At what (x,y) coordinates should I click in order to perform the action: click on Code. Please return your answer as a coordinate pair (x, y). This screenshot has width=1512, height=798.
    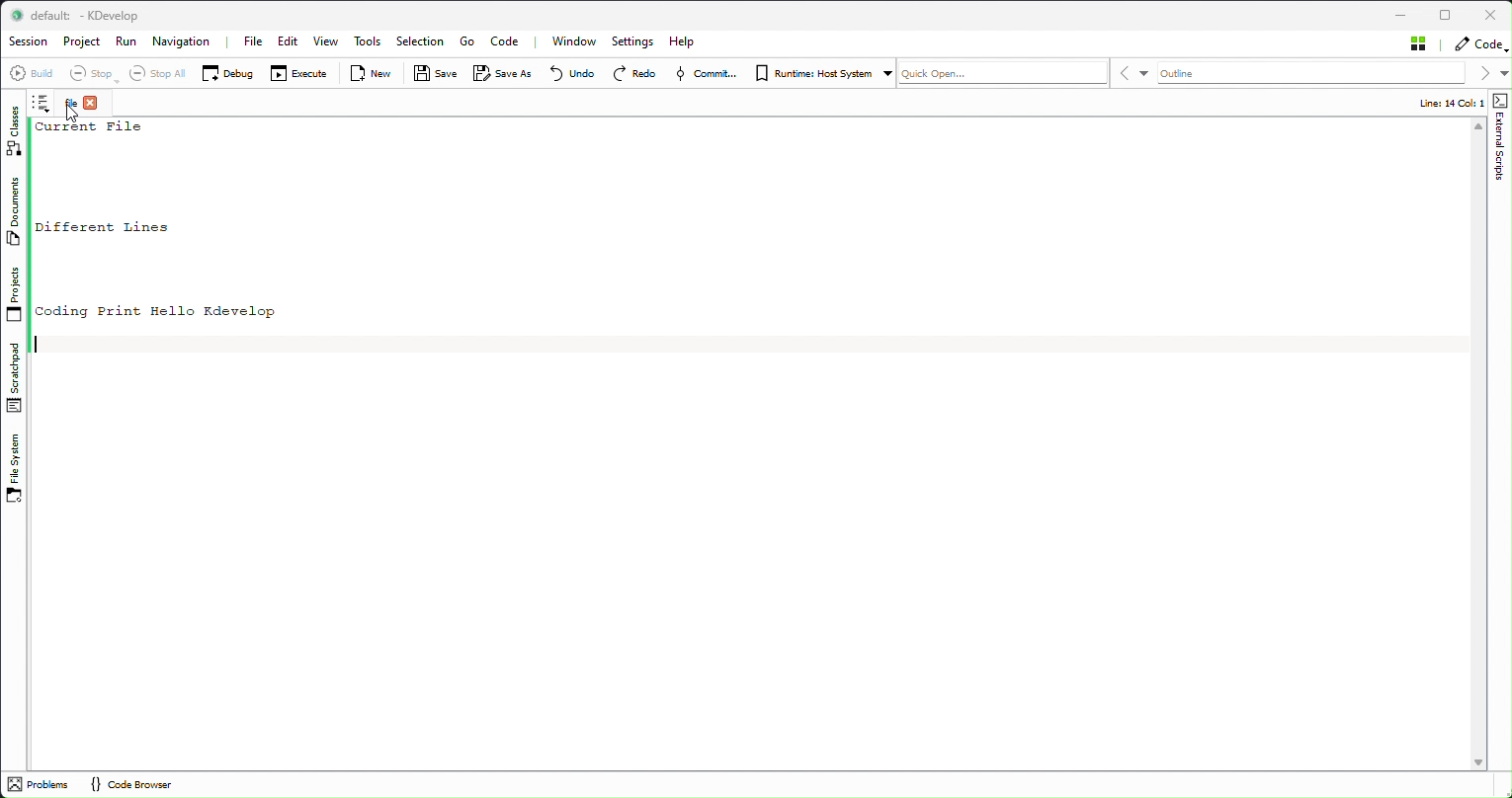
    Looking at the image, I should click on (505, 41).